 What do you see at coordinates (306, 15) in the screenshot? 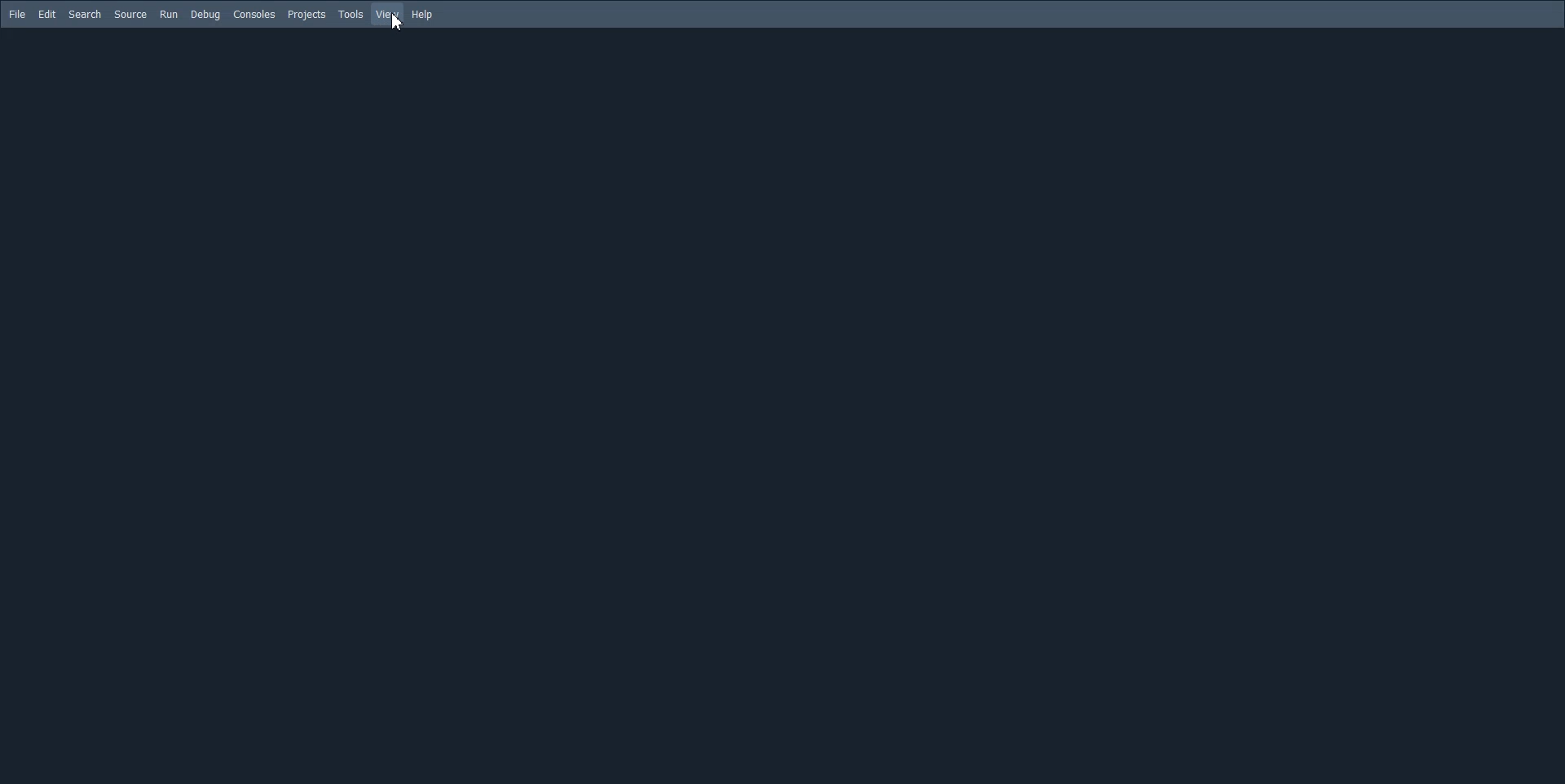
I see `Projects` at bounding box center [306, 15].